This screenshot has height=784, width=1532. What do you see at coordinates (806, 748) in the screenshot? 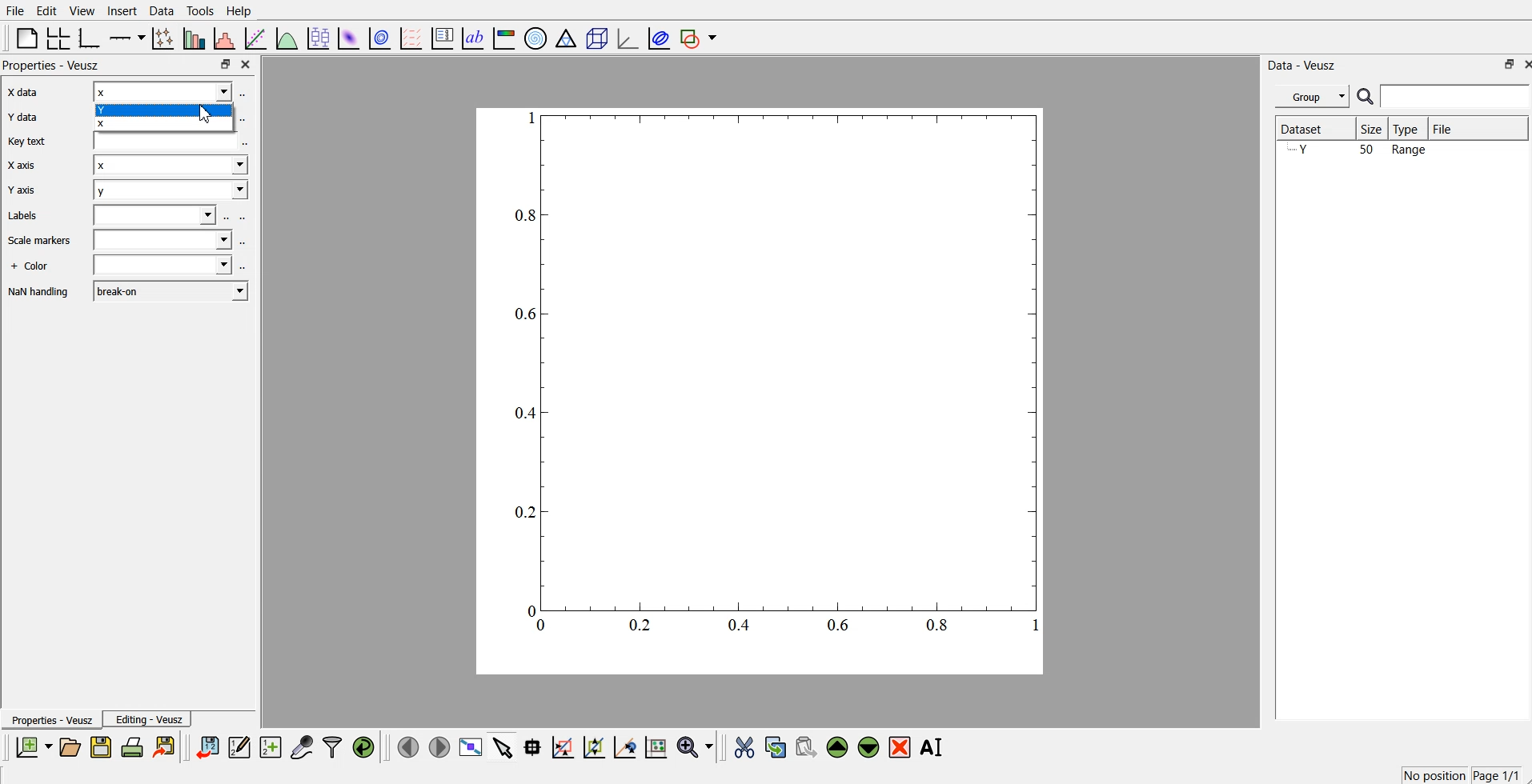
I see `paste the selected widgets` at bounding box center [806, 748].